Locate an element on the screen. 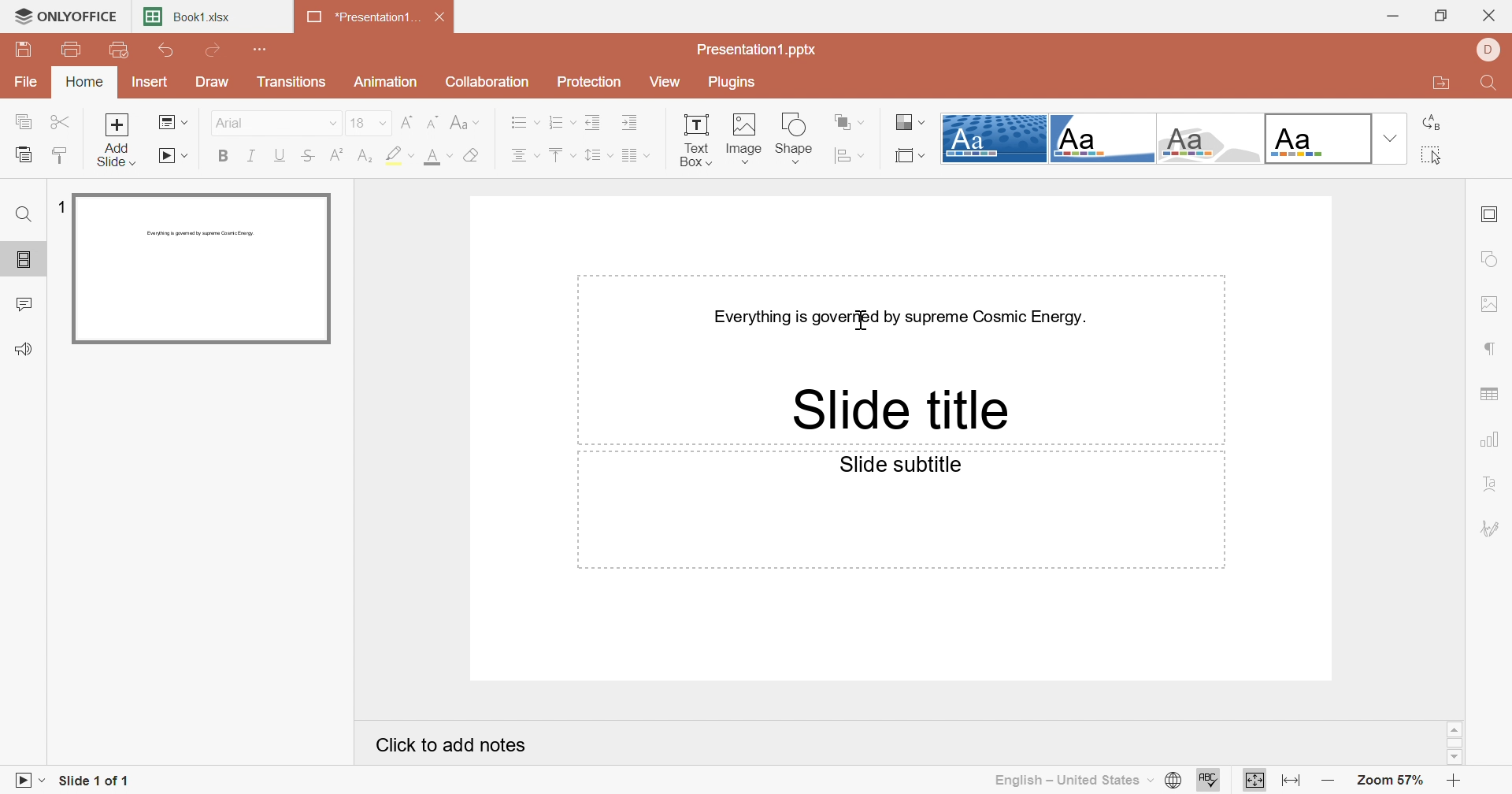 The image size is (1512, 794). Italic is located at coordinates (250, 154).